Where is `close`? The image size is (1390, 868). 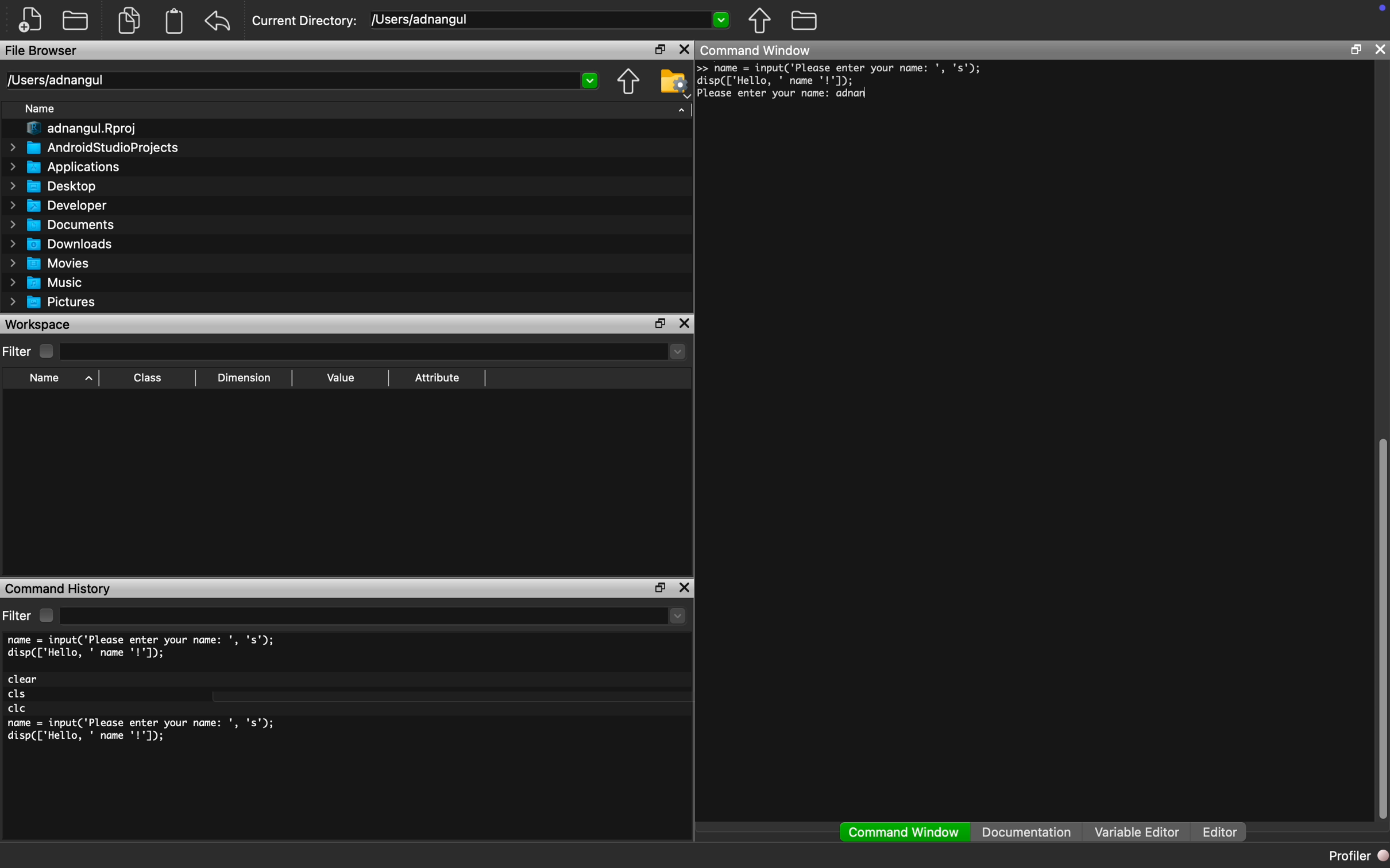
close is located at coordinates (1380, 49).